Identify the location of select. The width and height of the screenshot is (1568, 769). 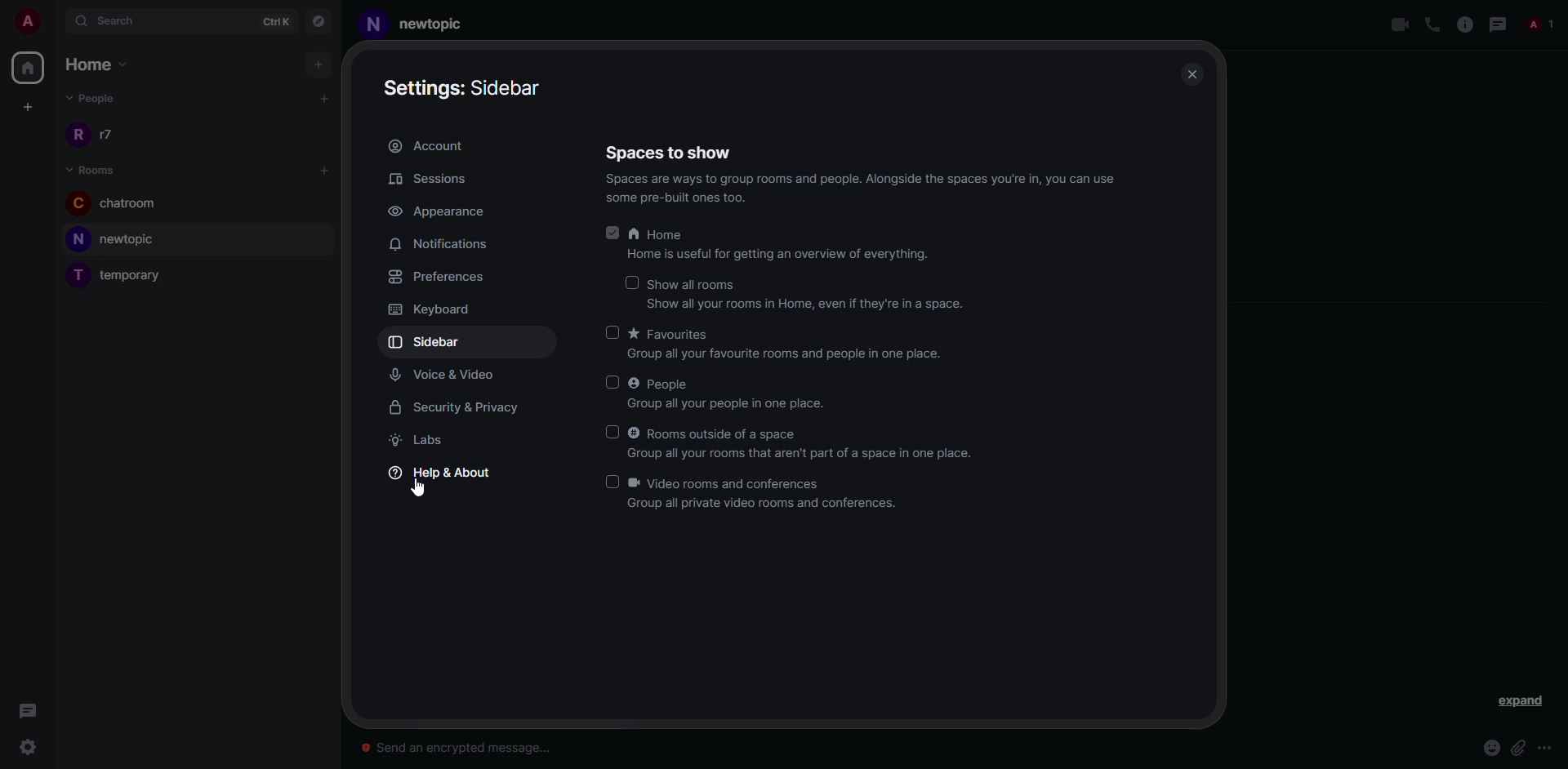
(611, 432).